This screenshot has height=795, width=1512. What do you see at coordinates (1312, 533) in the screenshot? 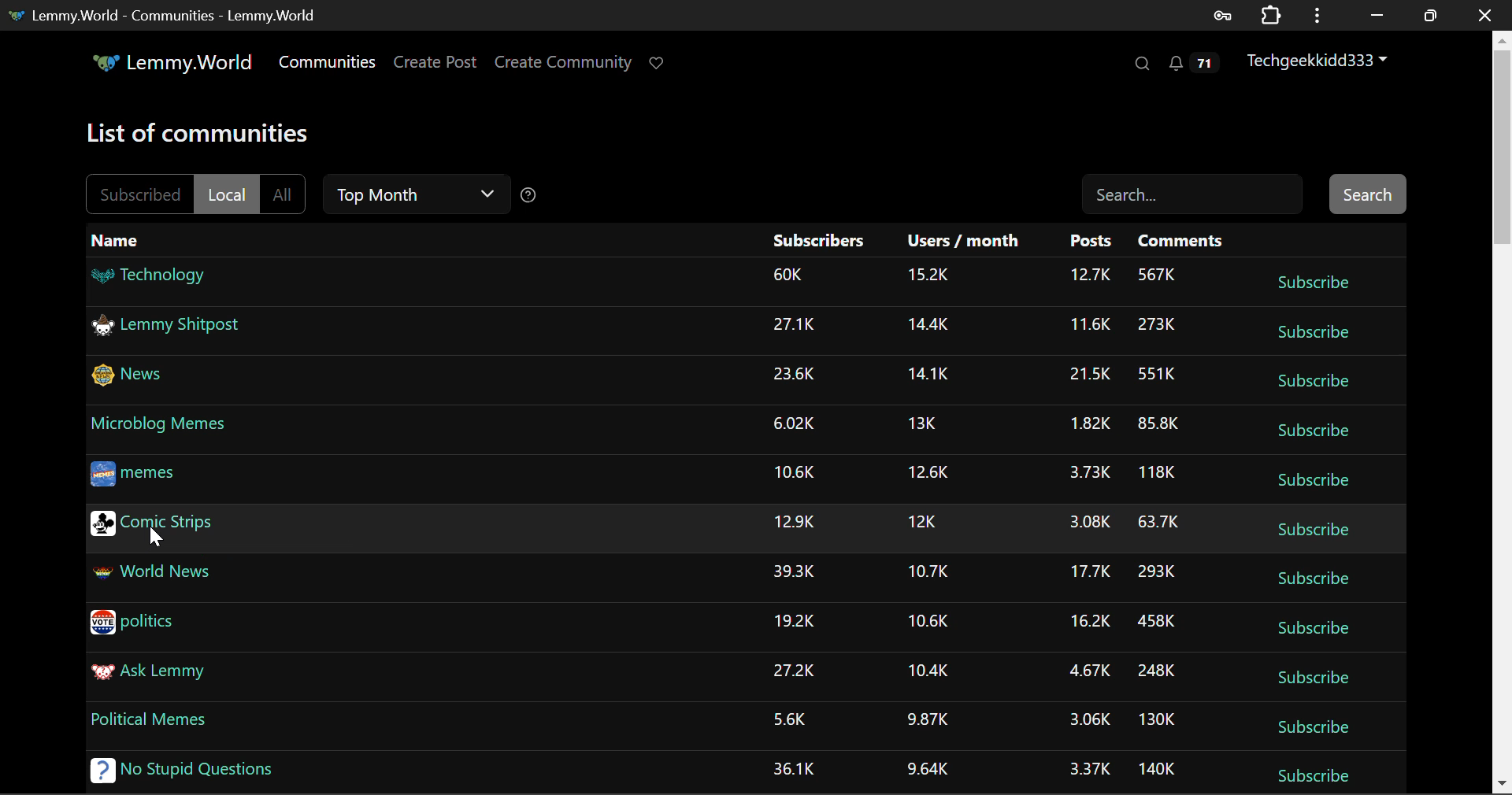
I see `Subscribe` at bounding box center [1312, 533].